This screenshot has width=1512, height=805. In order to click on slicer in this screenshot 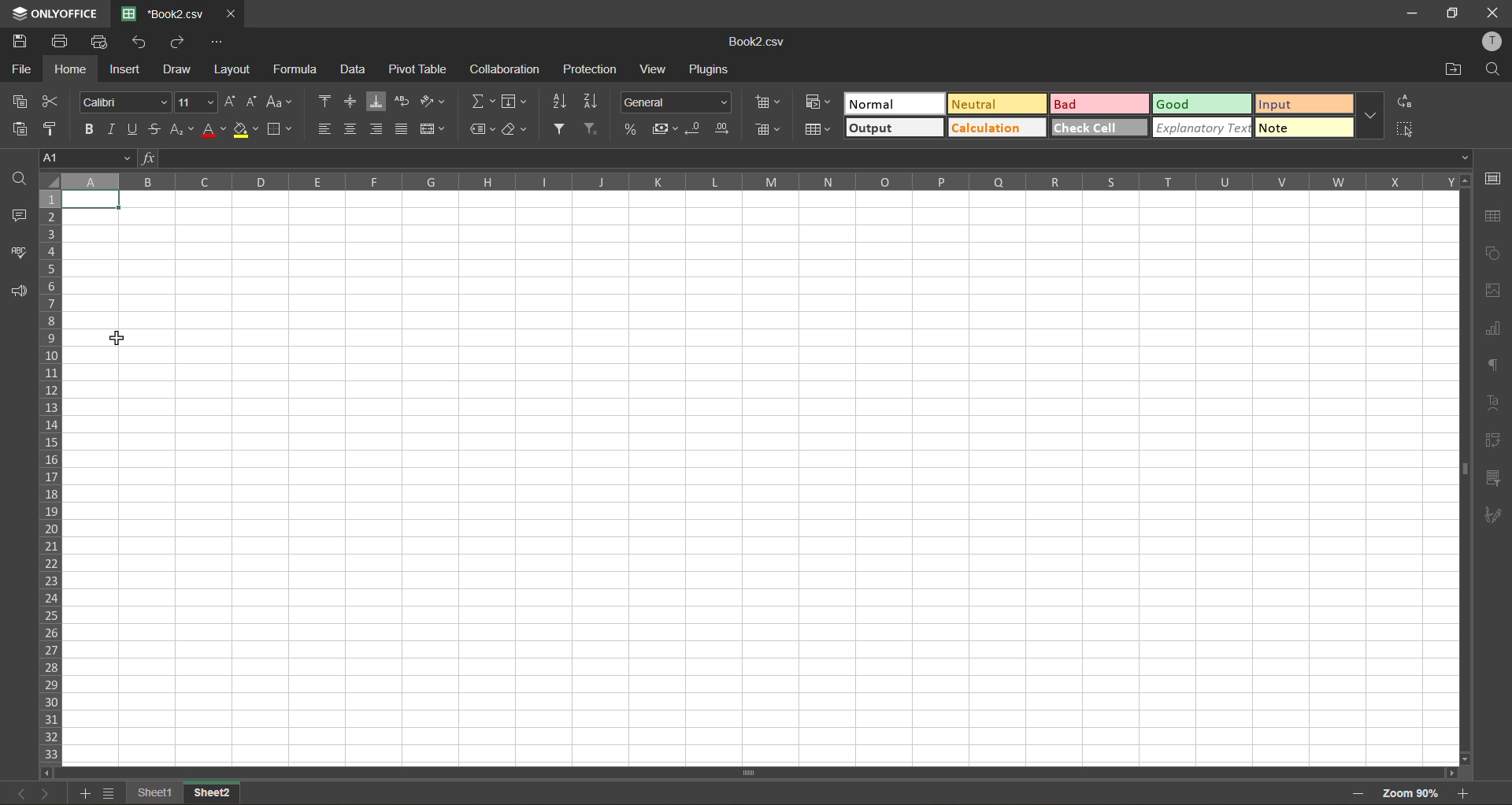, I will do `click(1494, 479)`.